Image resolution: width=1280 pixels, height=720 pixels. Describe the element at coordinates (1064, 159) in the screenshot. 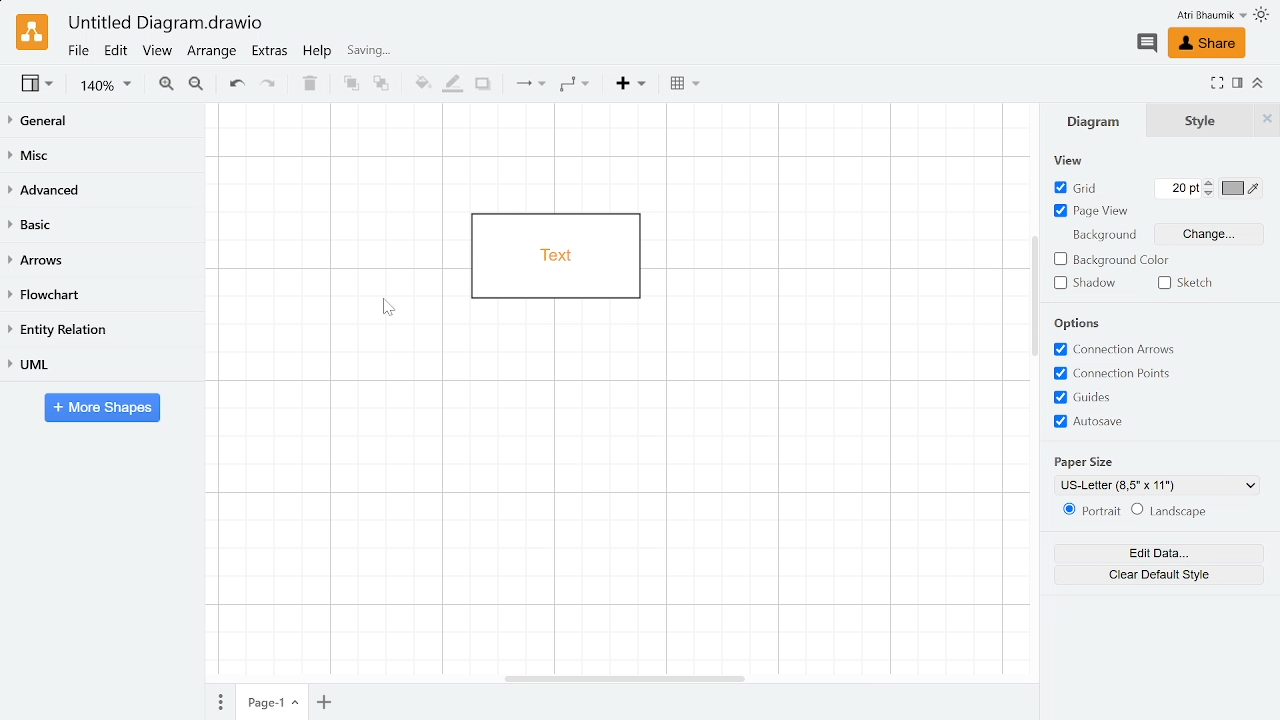

I see `view` at that location.